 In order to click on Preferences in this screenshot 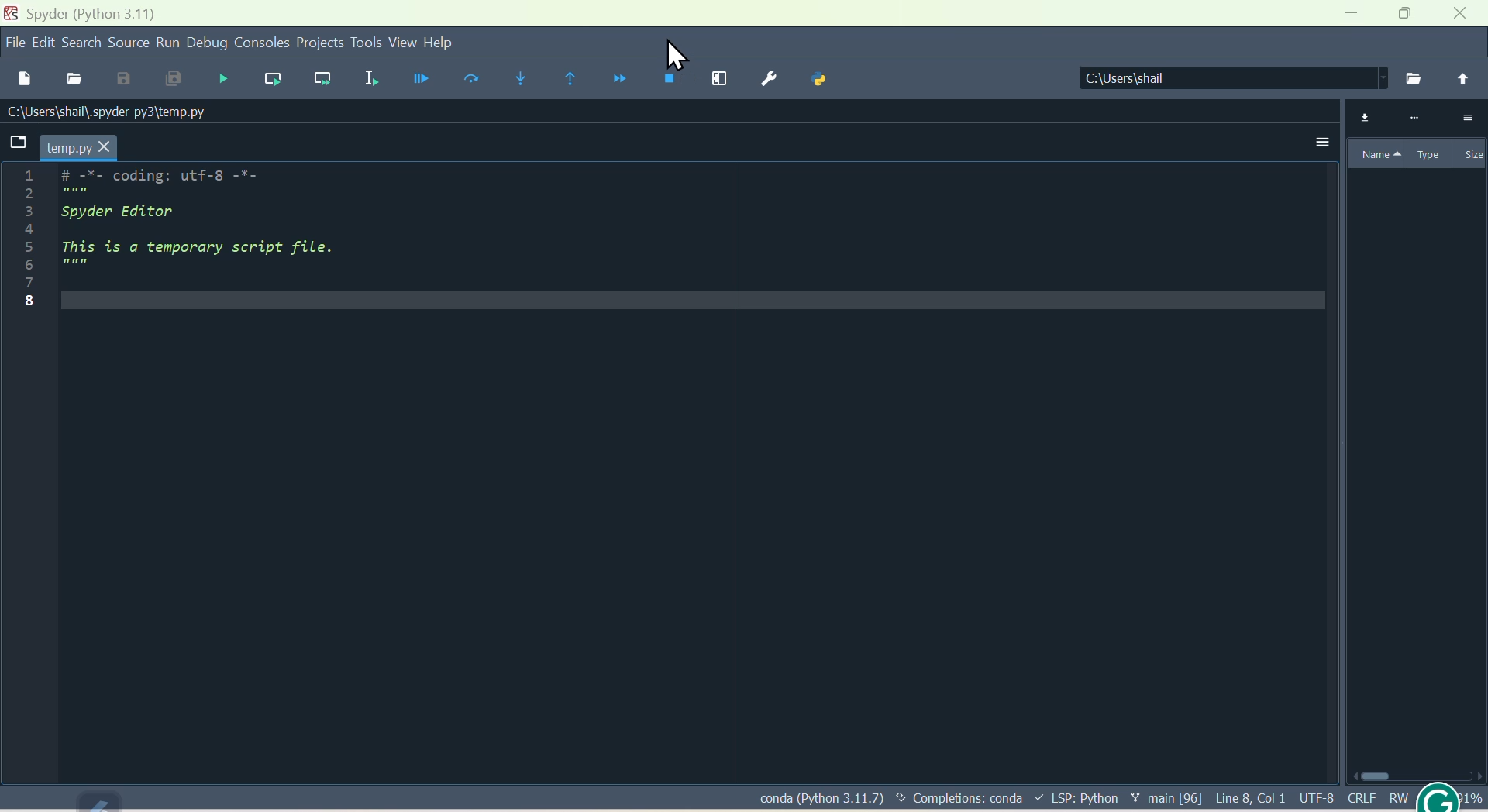, I will do `click(771, 78)`.